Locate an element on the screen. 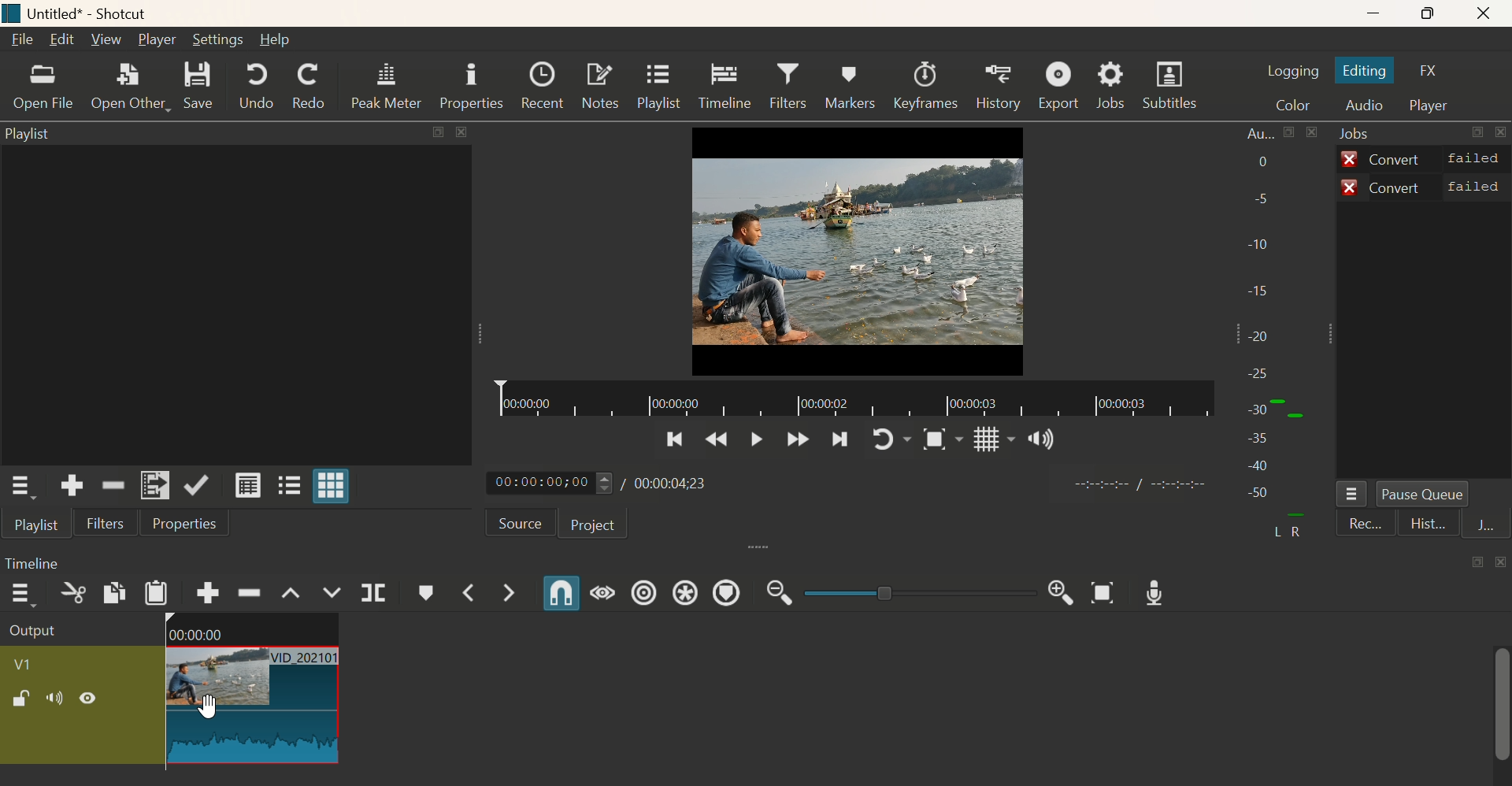 This screenshot has height=786, width=1512. History is located at coordinates (999, 87).